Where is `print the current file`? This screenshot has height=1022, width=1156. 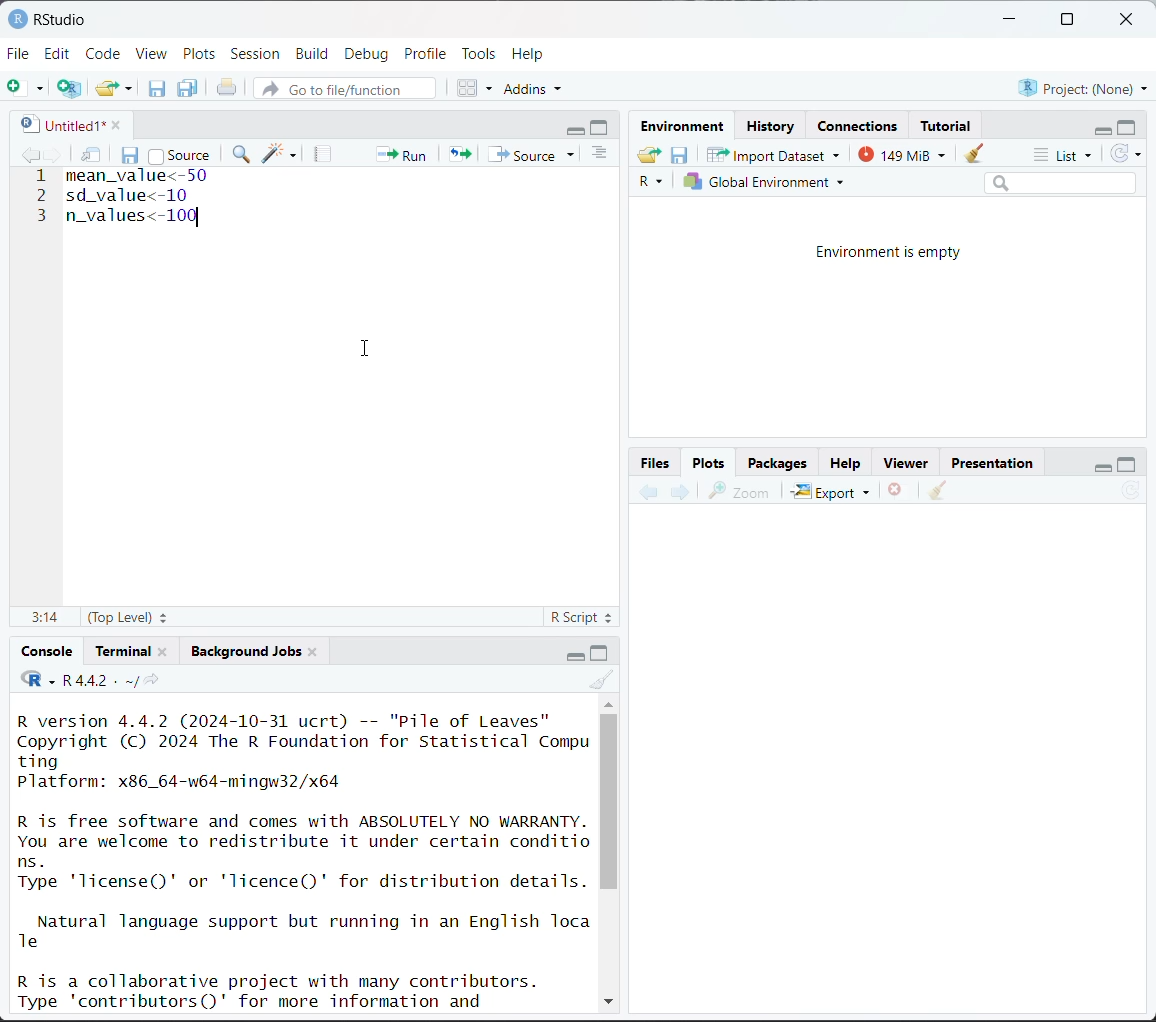 print the current file is located at coordinates (228, 88).